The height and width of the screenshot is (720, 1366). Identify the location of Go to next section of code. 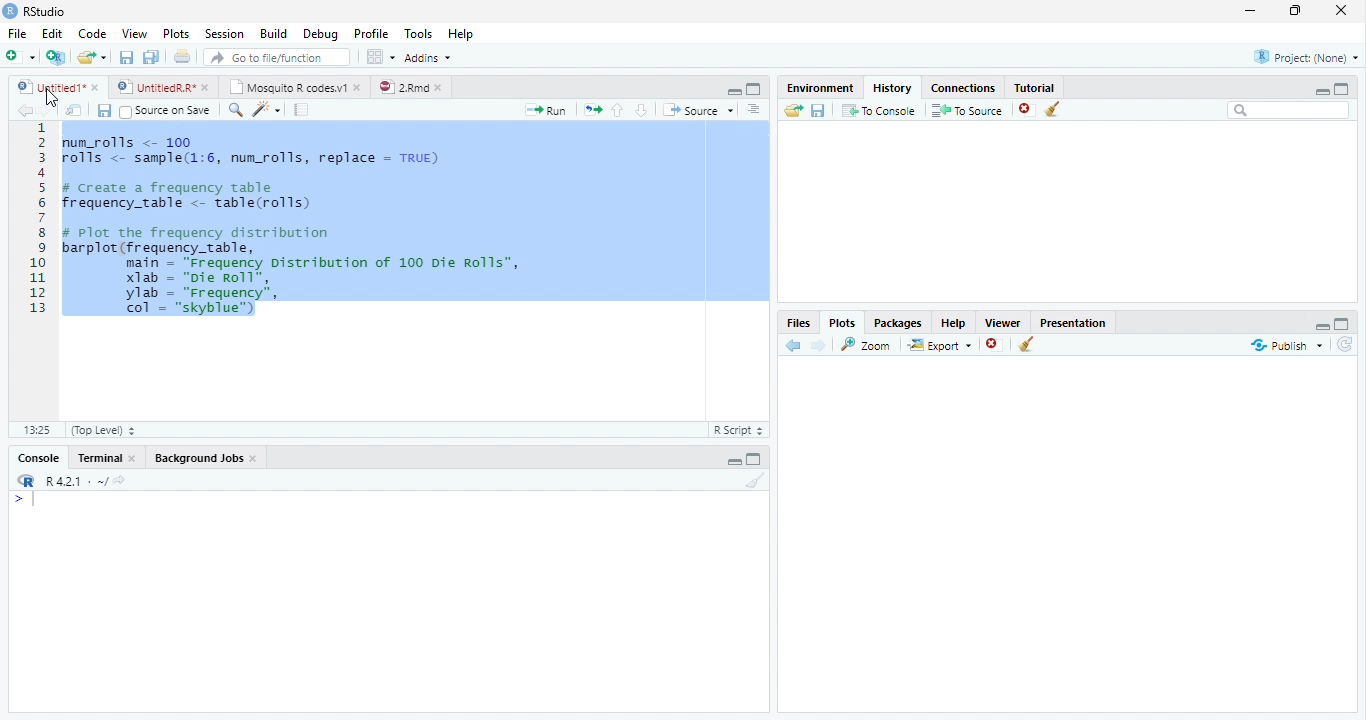
(642, 110).